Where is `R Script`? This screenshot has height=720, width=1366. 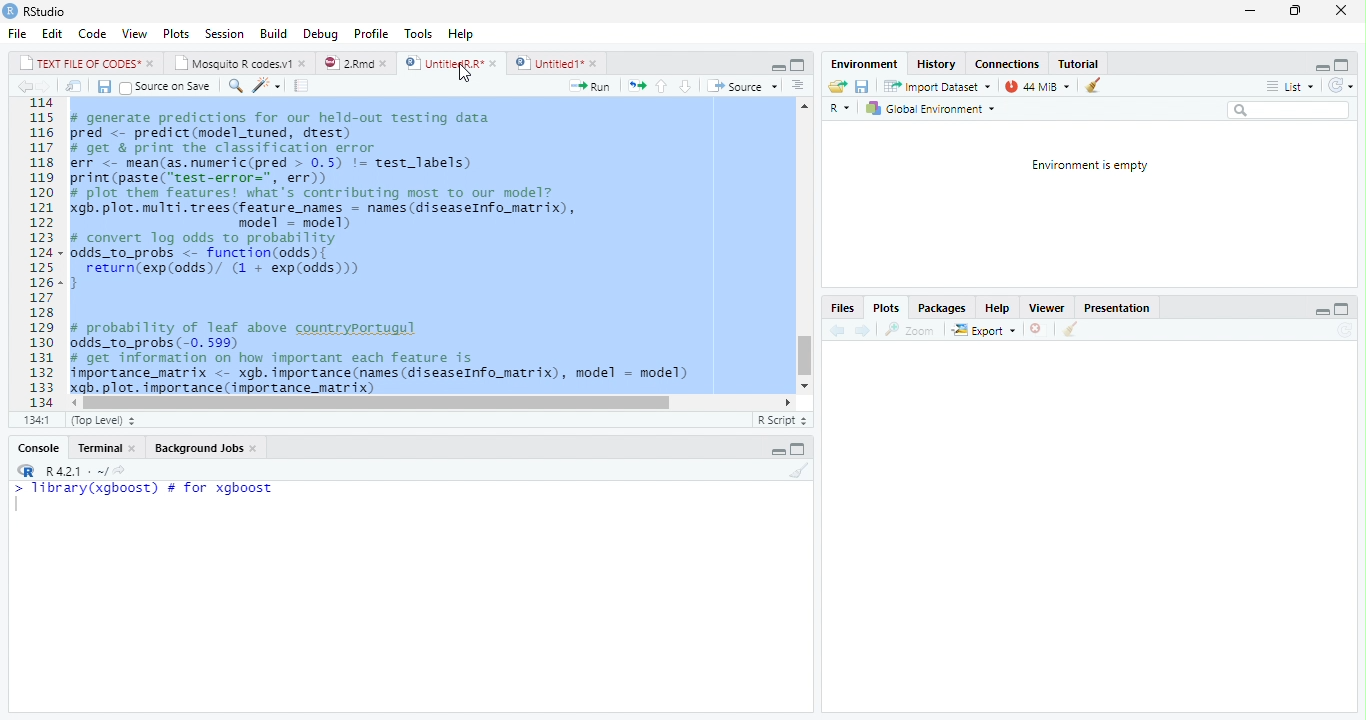
R Script is located at coordinates (783, 418).